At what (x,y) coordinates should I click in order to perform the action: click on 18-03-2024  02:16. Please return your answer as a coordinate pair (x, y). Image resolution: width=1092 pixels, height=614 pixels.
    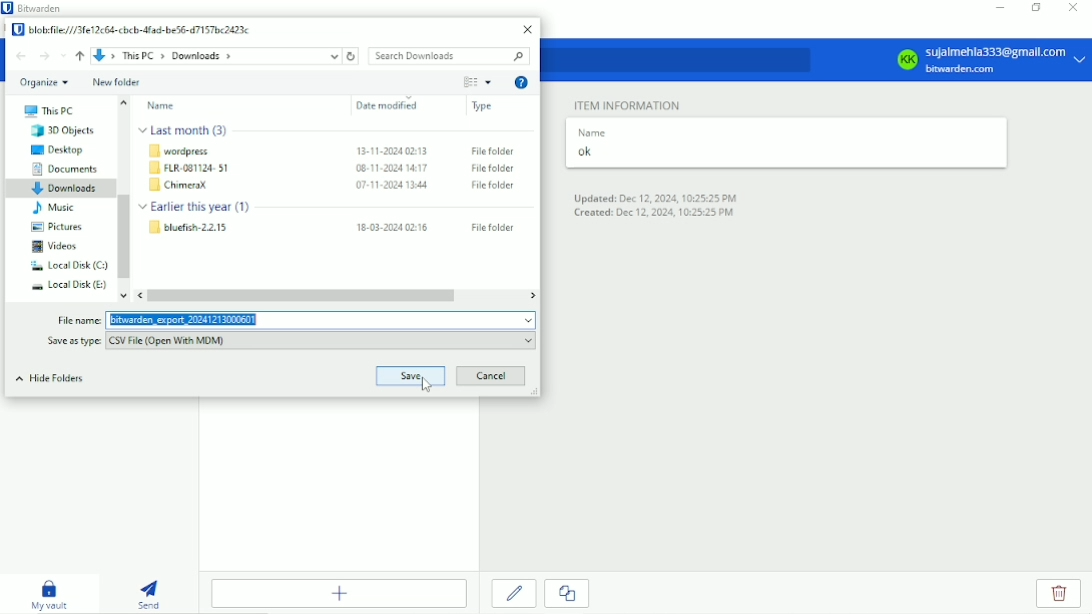
    Looking at the image, I should click on (391, 227).